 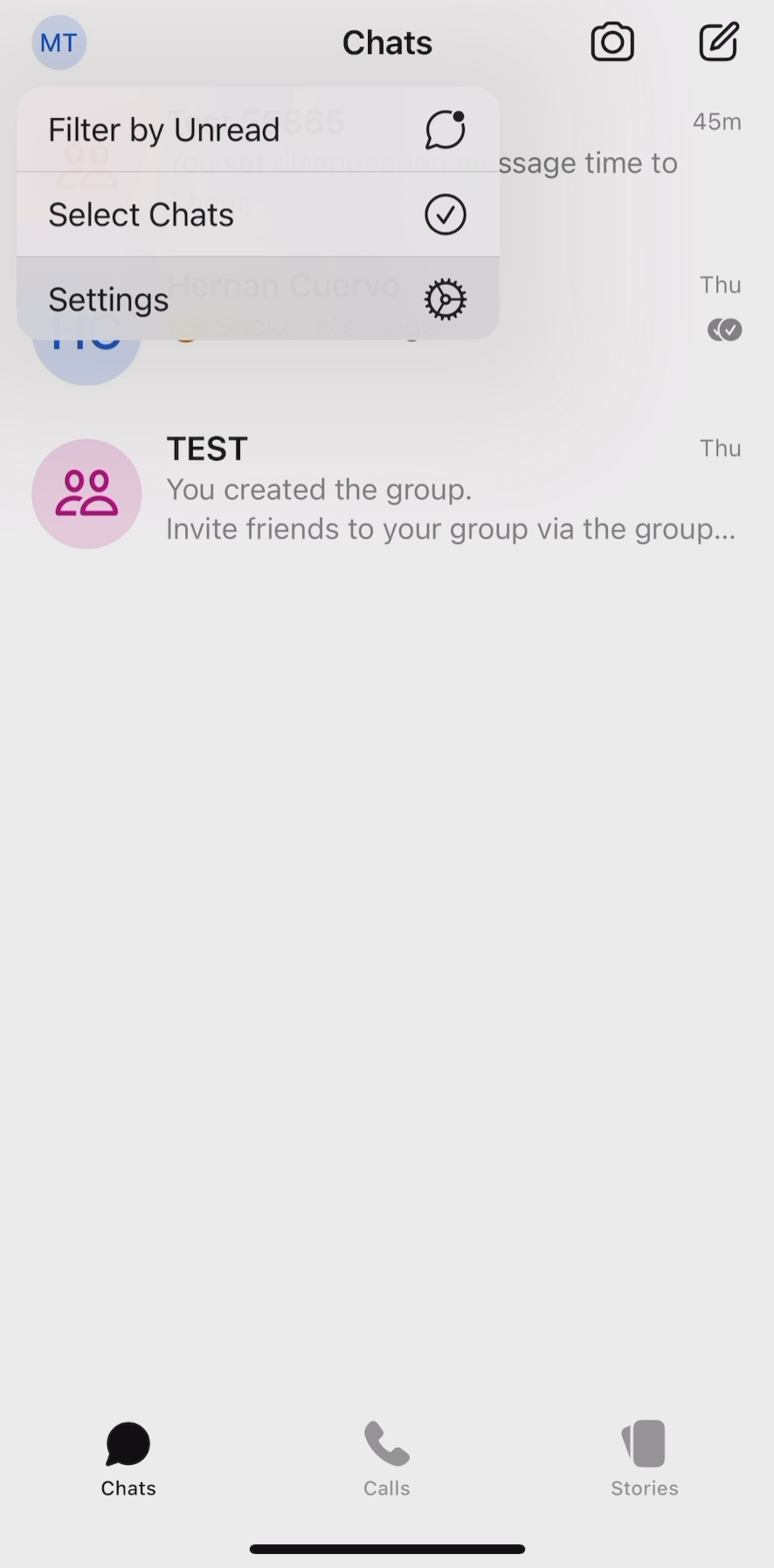 What do you see at coordinates (387, 1541) in the screenshot?
I see `pull down ` at bounding box center [387, 1541].